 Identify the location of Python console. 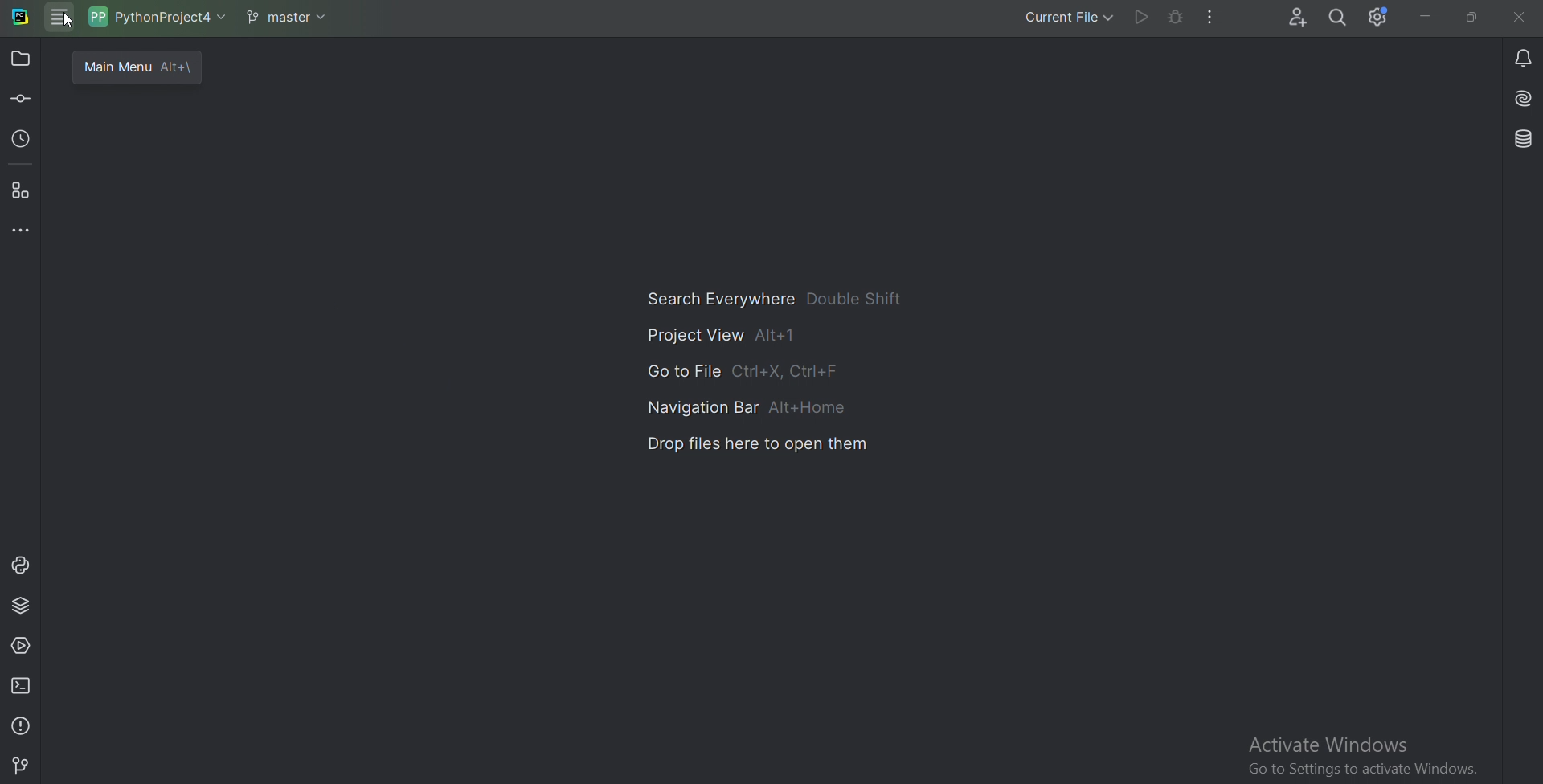
(20, 566).